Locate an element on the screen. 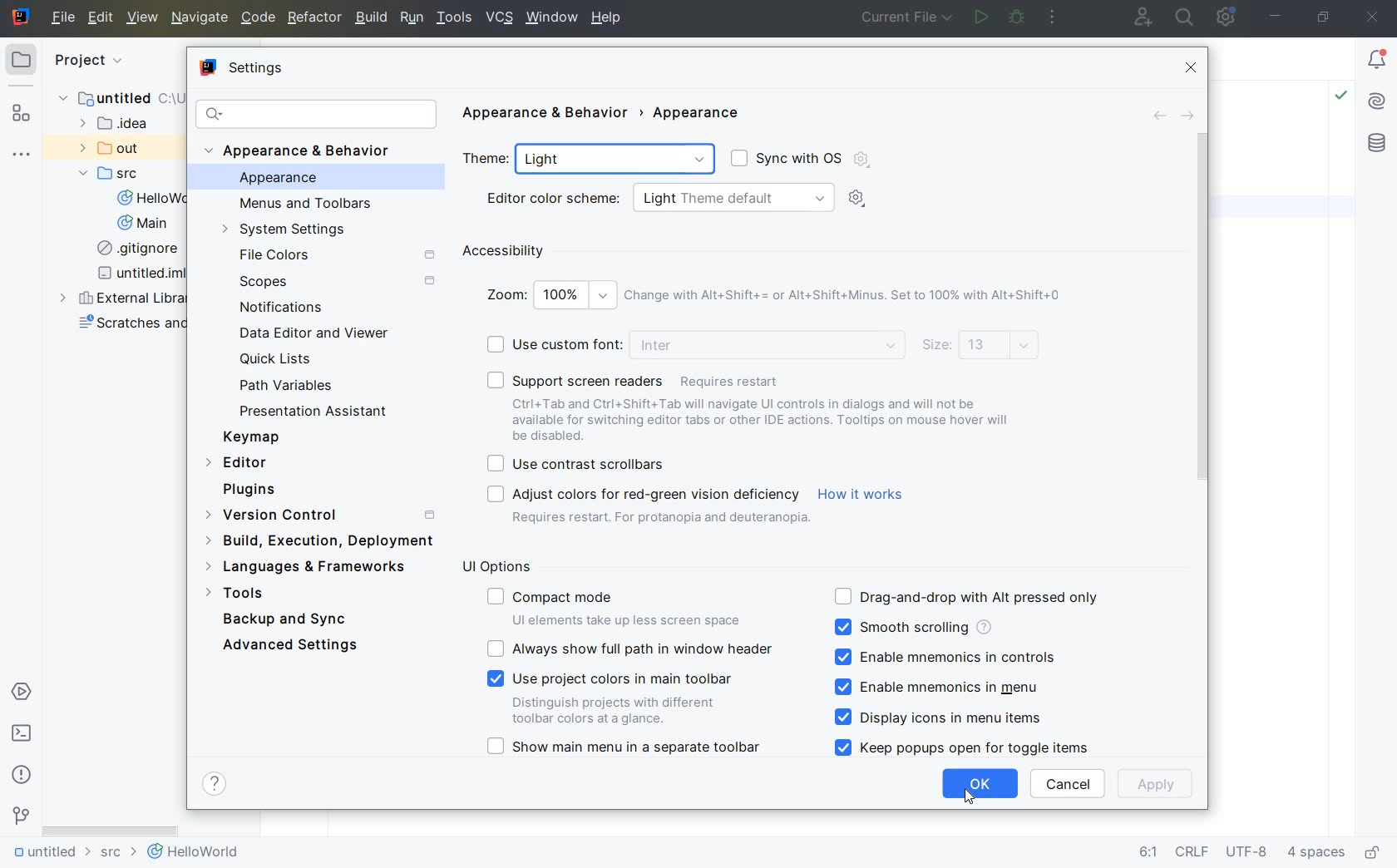 This screenshot has height=868, width=1397. BUILD, EXECUTION, DEPLOYMENT is located at coordinates (318, 540).